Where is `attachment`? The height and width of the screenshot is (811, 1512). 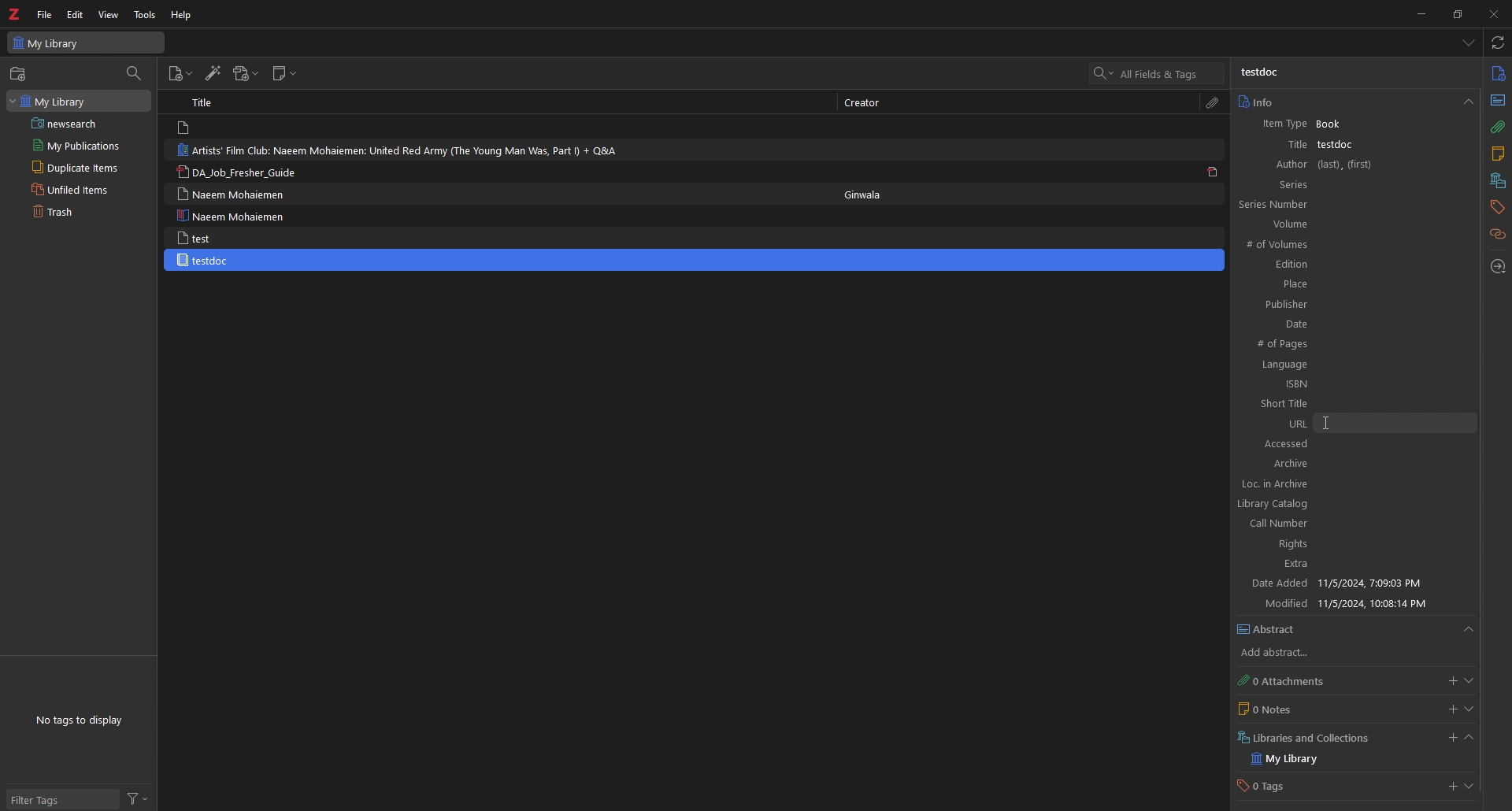
attachment is located at coordinates (1213, 104).